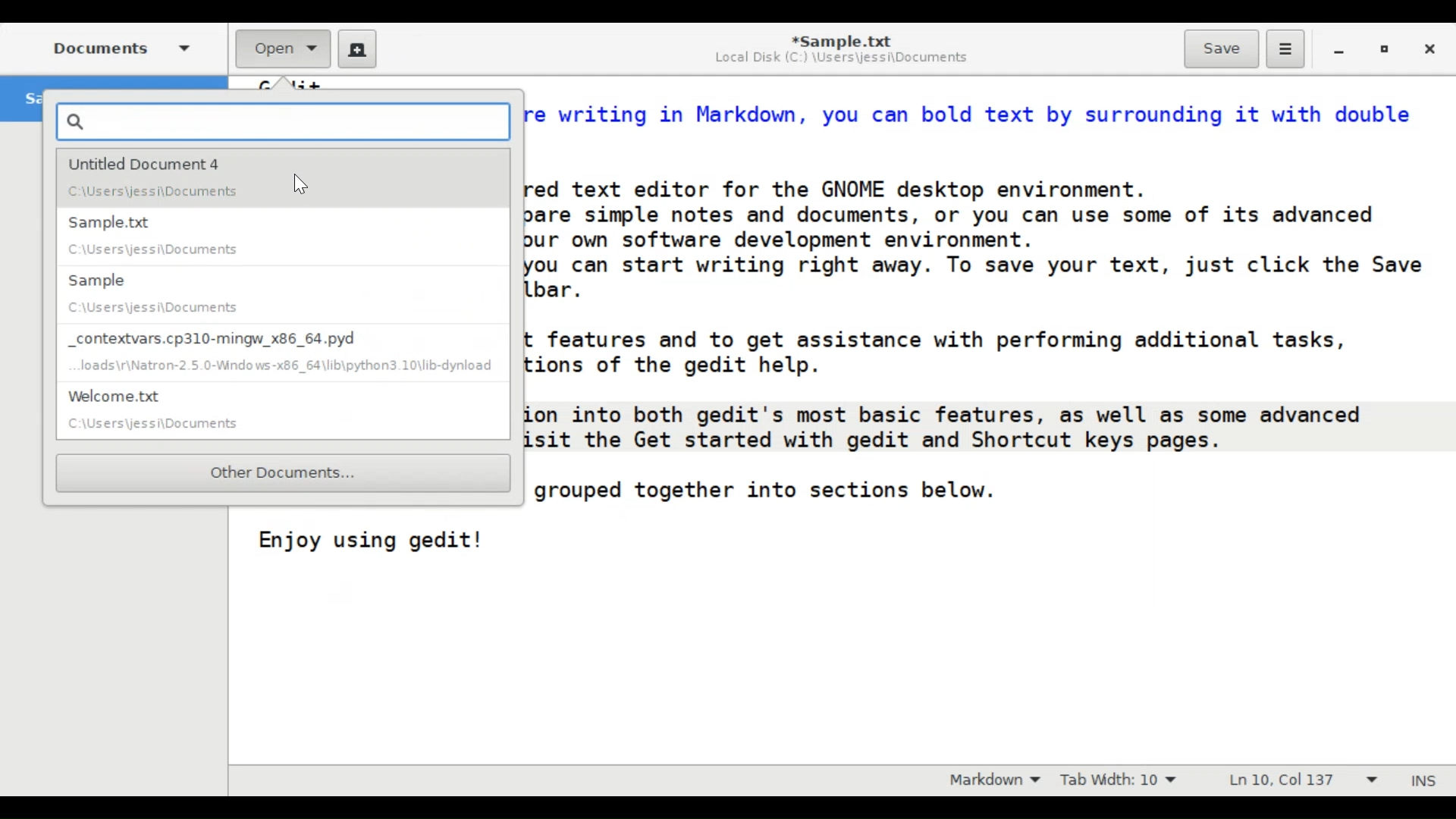 This screenshot has height=819, width=1456. Describe the element at coordinates (839, 39) in the screenshot. I see `*Sample.txt` at that location.